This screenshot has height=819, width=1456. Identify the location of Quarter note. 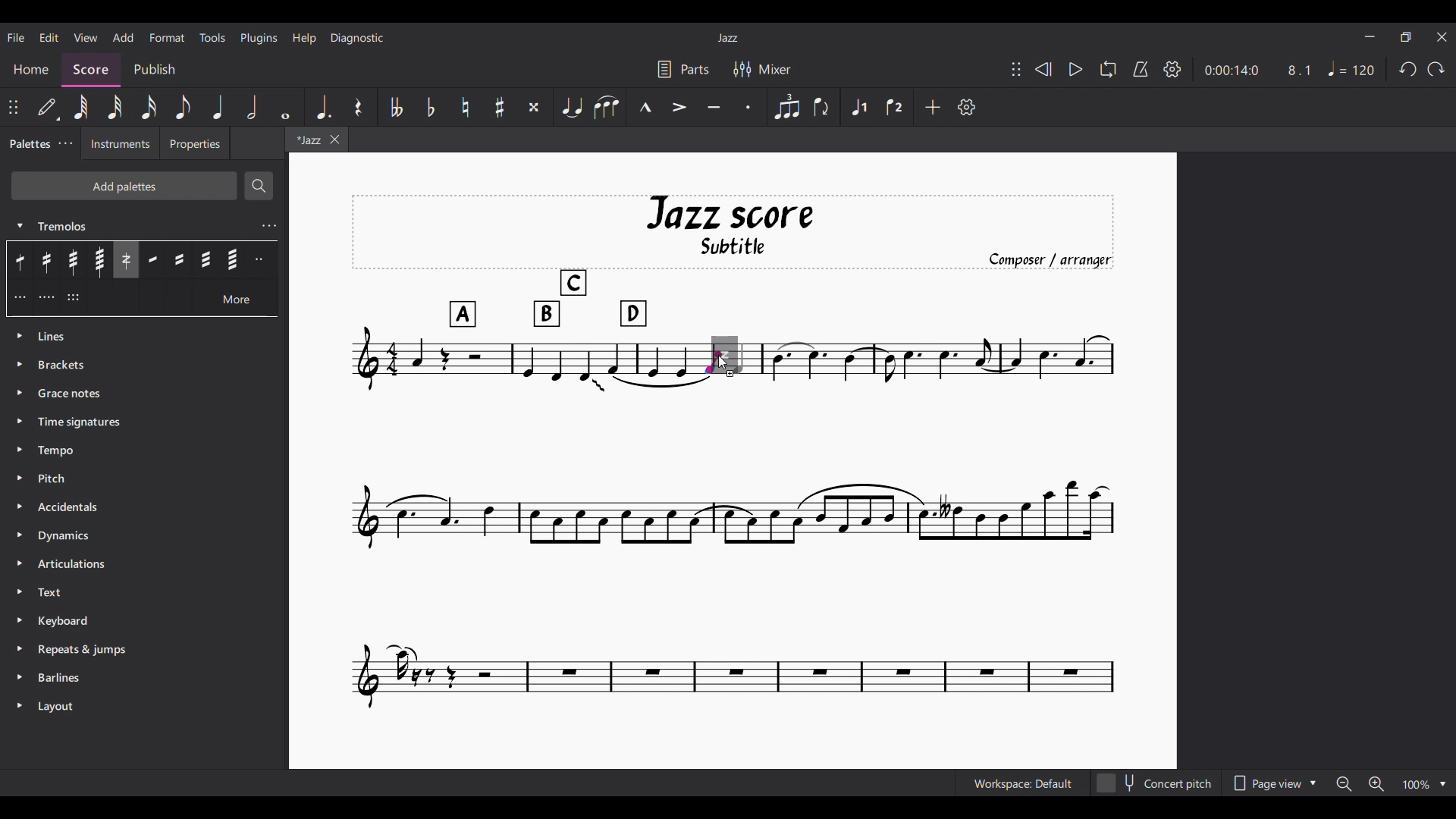
(218, 106).